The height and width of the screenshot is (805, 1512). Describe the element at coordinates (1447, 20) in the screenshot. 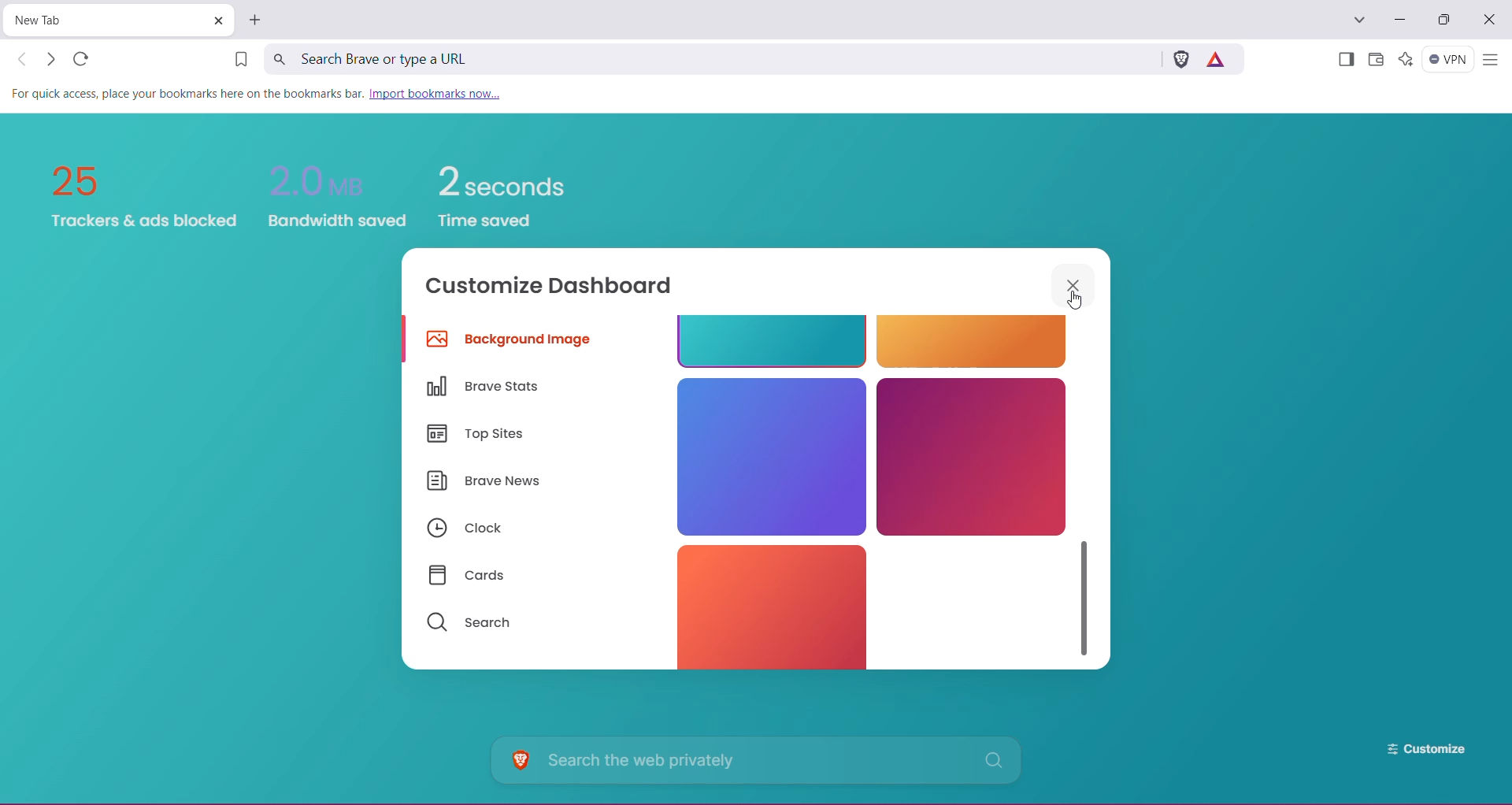

I see `Restore Down` at that location.